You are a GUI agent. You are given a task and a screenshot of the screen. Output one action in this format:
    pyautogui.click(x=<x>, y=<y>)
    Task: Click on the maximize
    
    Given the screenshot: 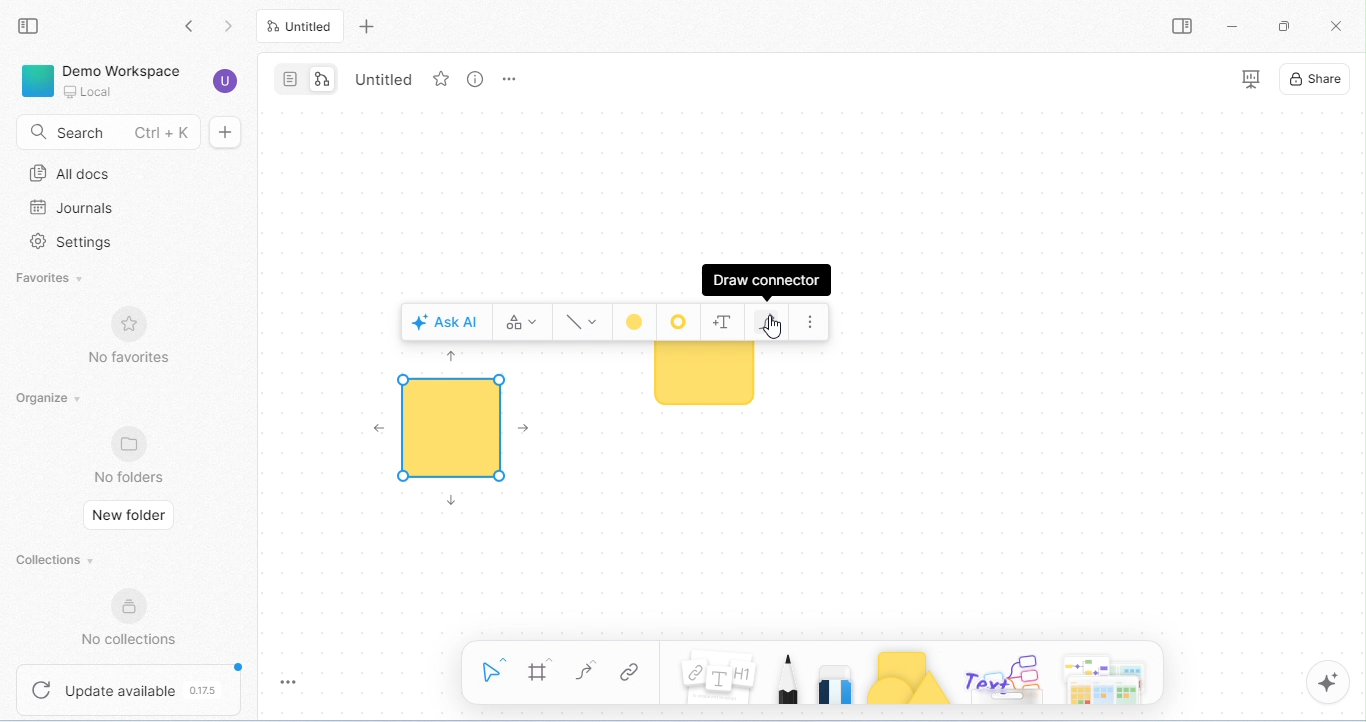 What is the action you would take?
    pyautogui.click(x=1284, y=26)
    